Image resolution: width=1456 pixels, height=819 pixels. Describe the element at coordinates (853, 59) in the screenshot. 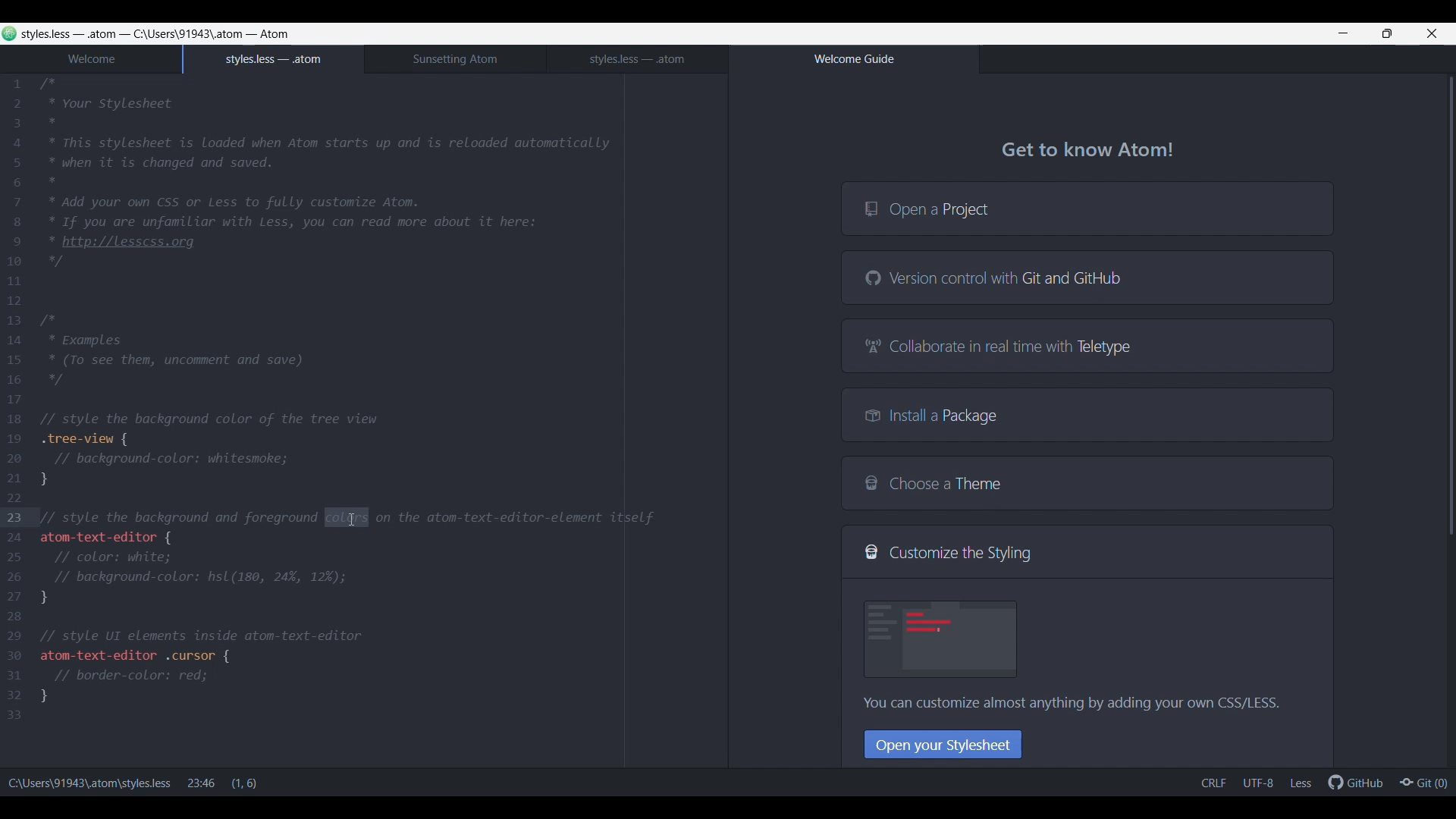

I see `Welcome guide tab` at that location.